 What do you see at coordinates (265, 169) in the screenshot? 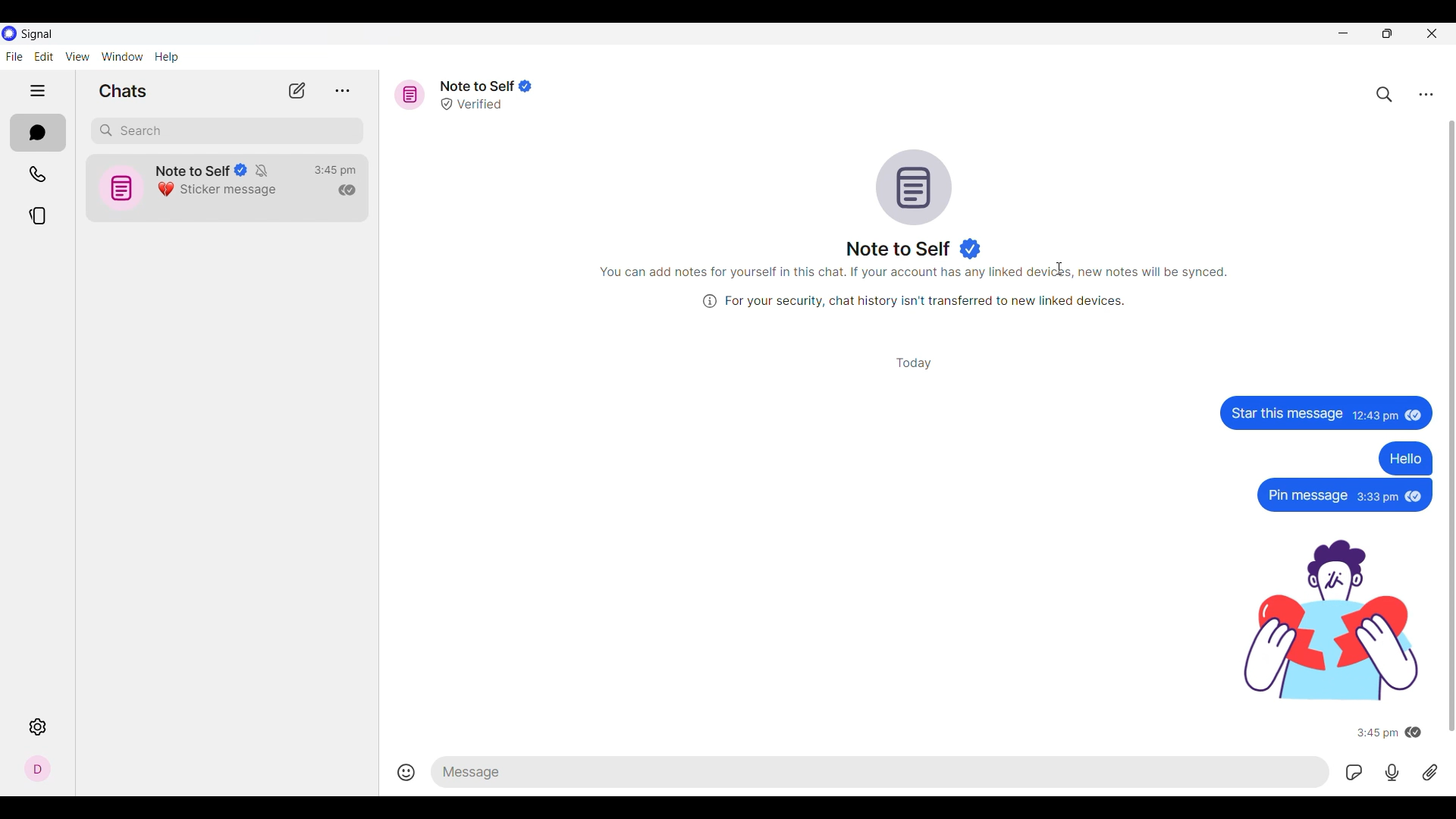
I see `Indicates conversation has been muted` at bounding box center [265, 169].